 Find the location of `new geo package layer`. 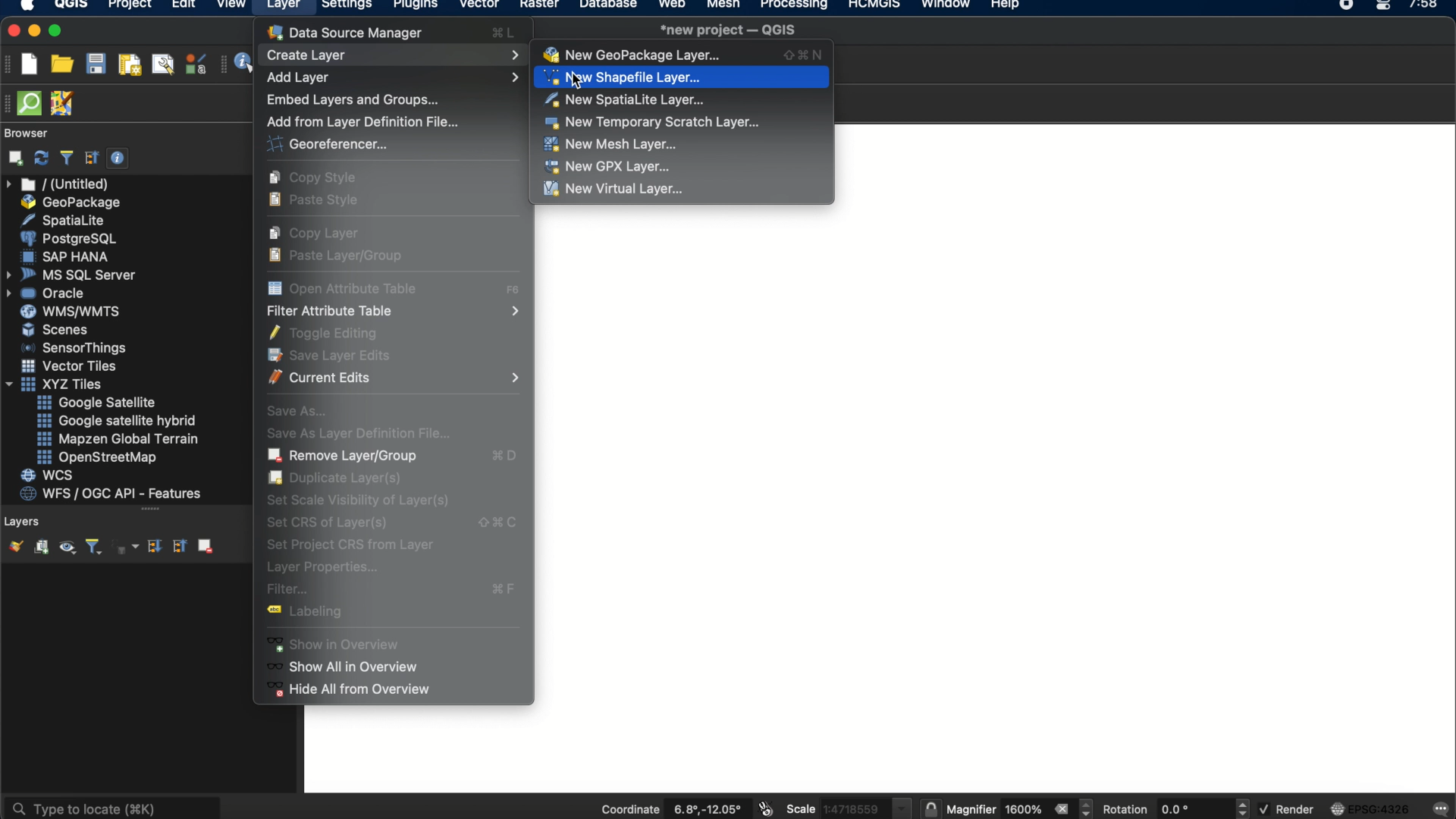

new geo package layer is located at coordinates (685, 55).